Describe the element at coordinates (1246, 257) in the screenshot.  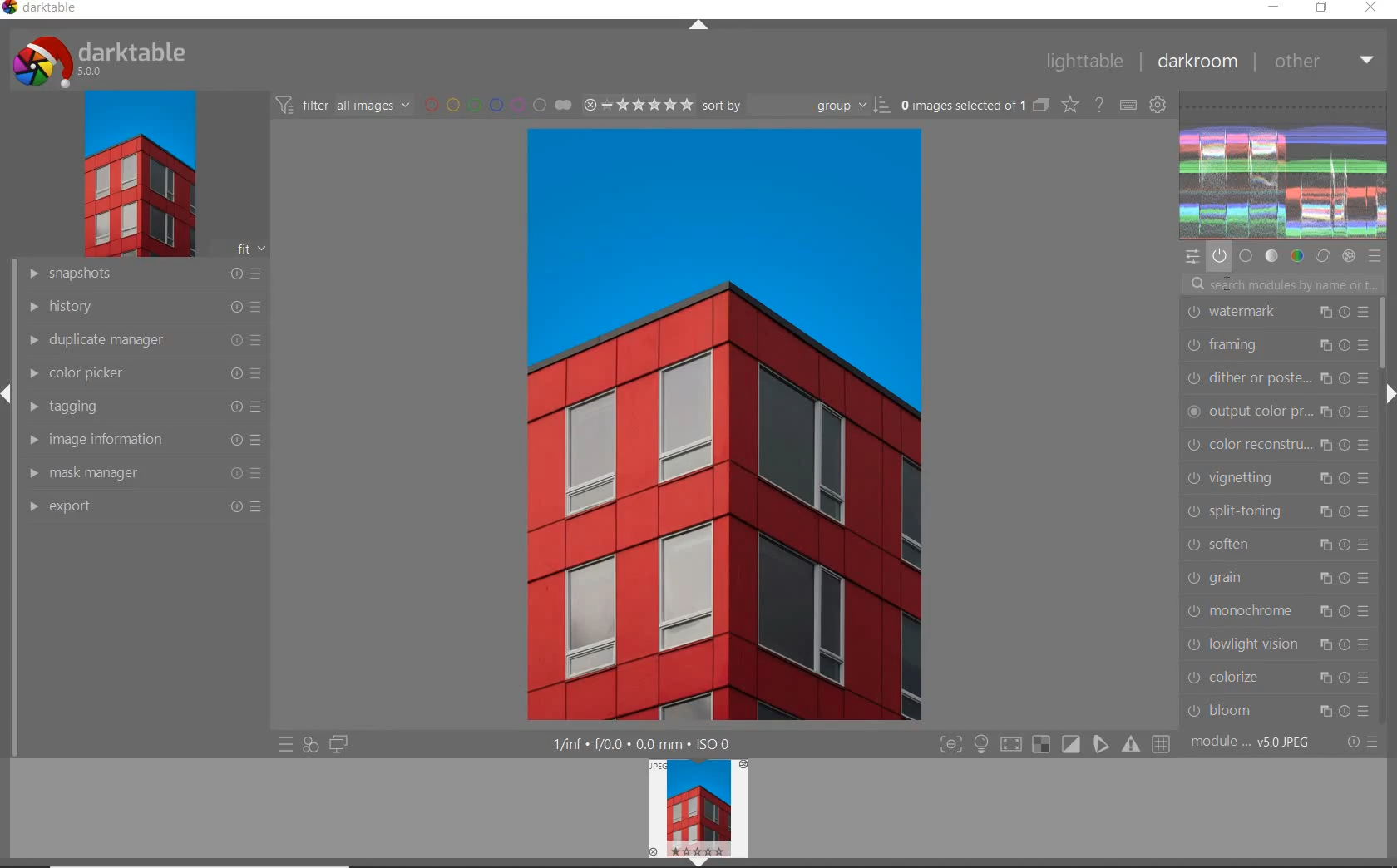
I see `base` at that location.